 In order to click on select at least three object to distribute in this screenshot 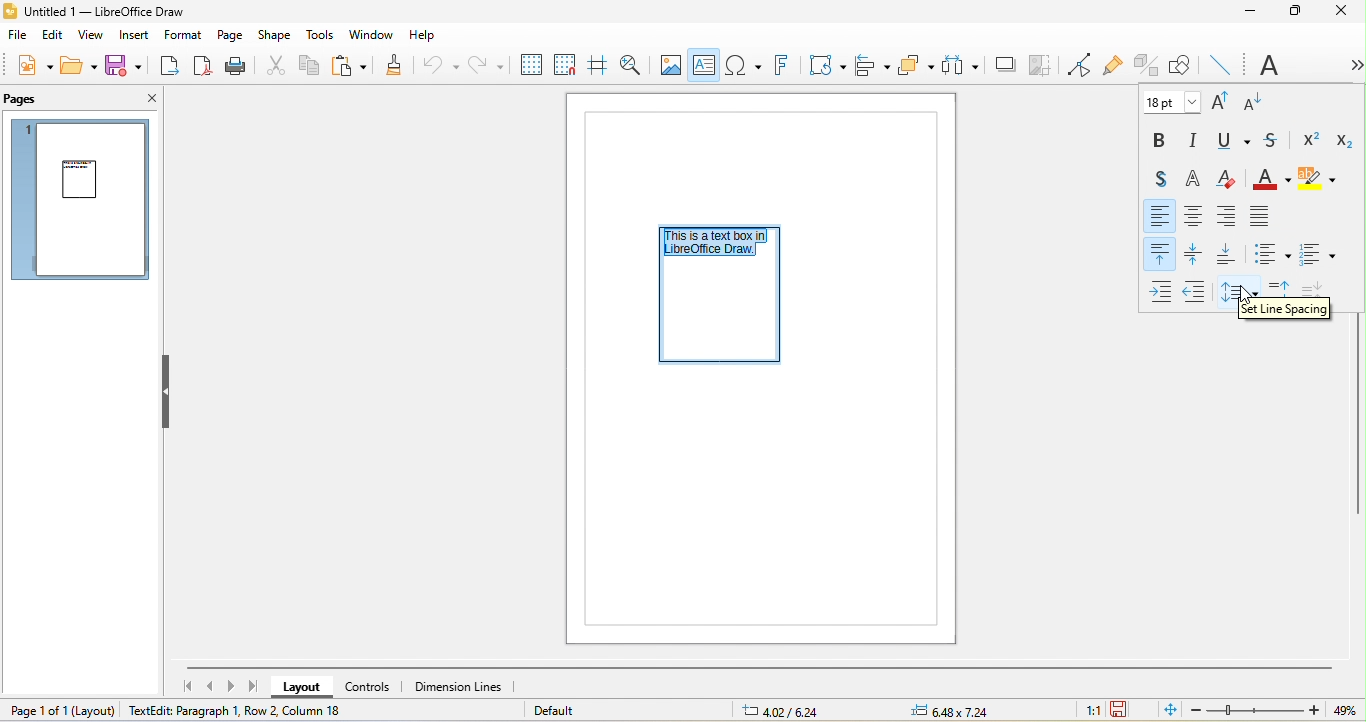, I will do `click(959, 65)`.